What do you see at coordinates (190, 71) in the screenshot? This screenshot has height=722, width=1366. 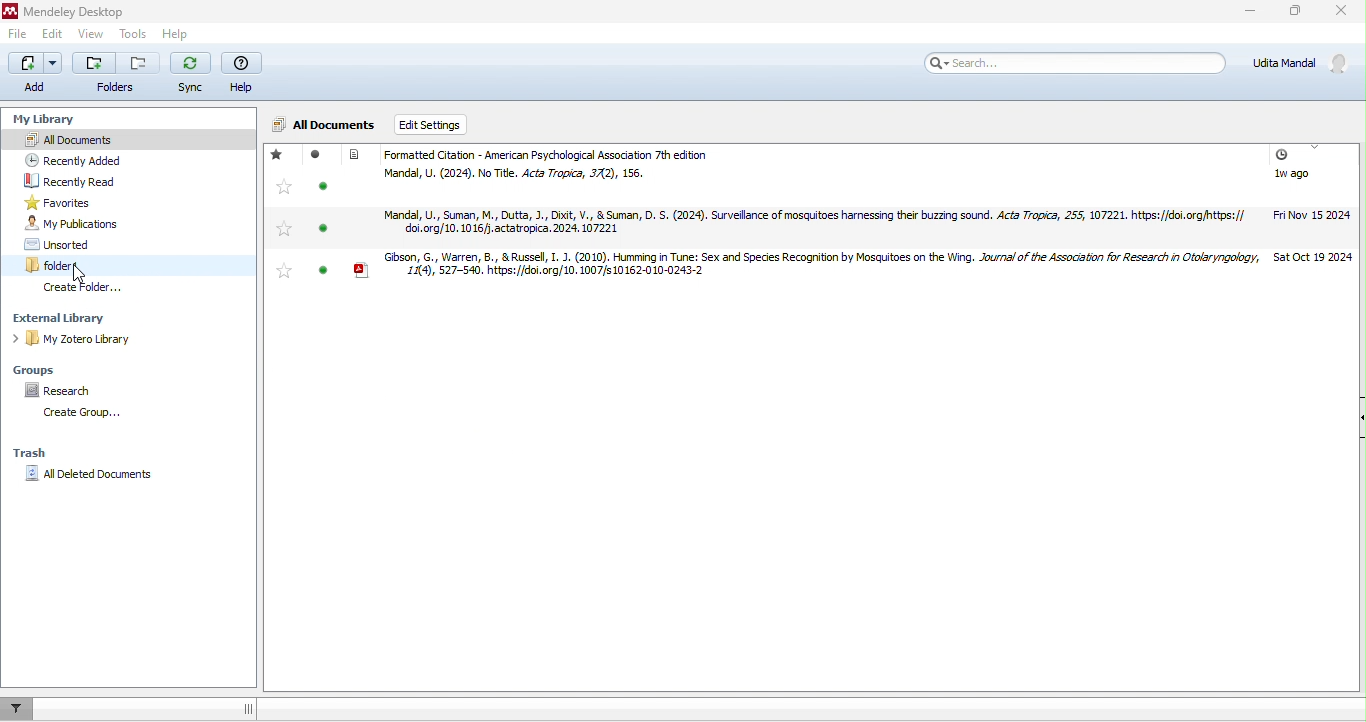 I see `sync` at bounding box center [190, 71].